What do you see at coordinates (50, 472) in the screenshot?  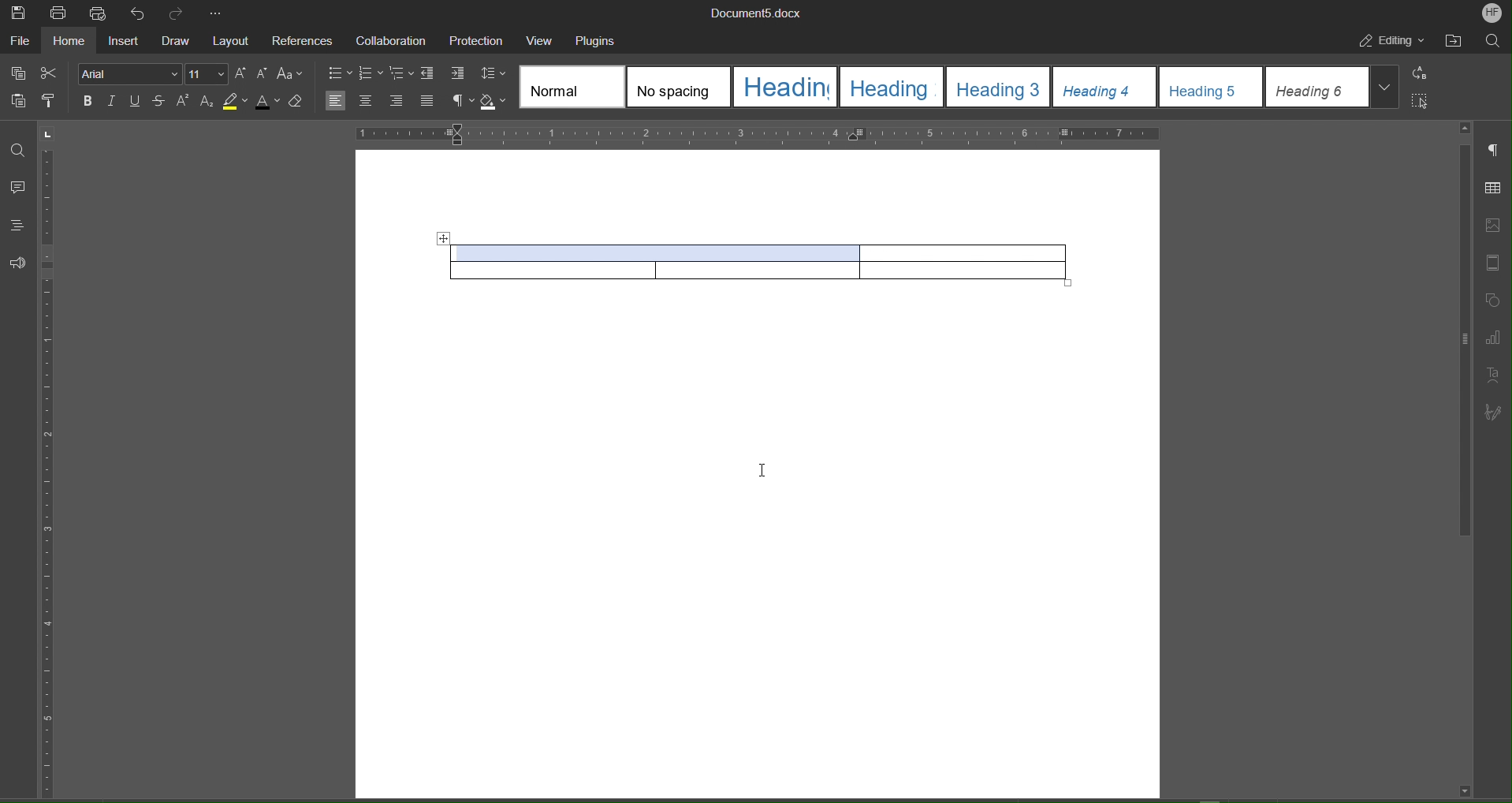 I see `Vertical Ruler` at bounding box center [50, 472].